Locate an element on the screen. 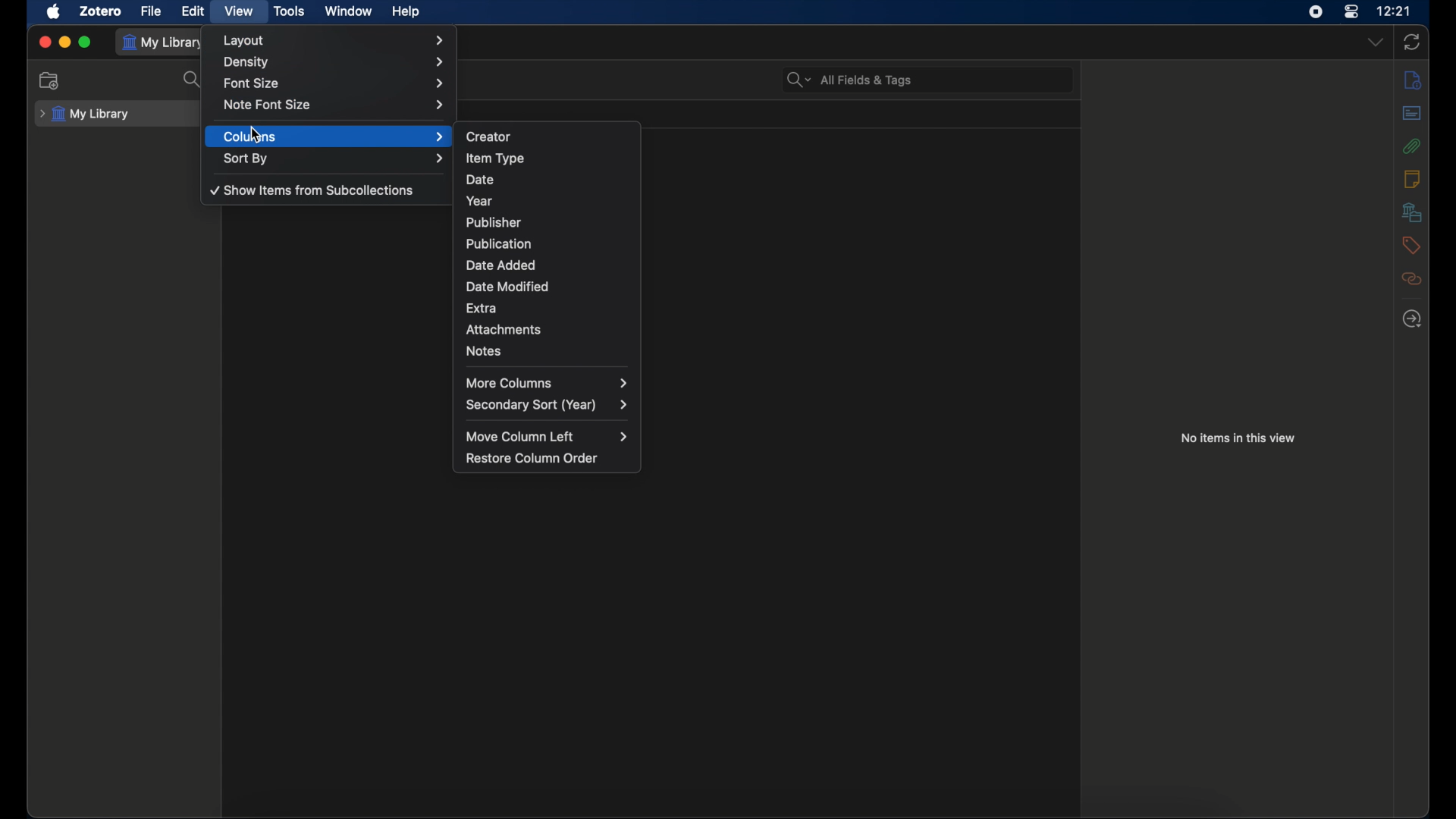 This screenshot has height=819, width=1456. note font size is located at coordinates (334, 105).